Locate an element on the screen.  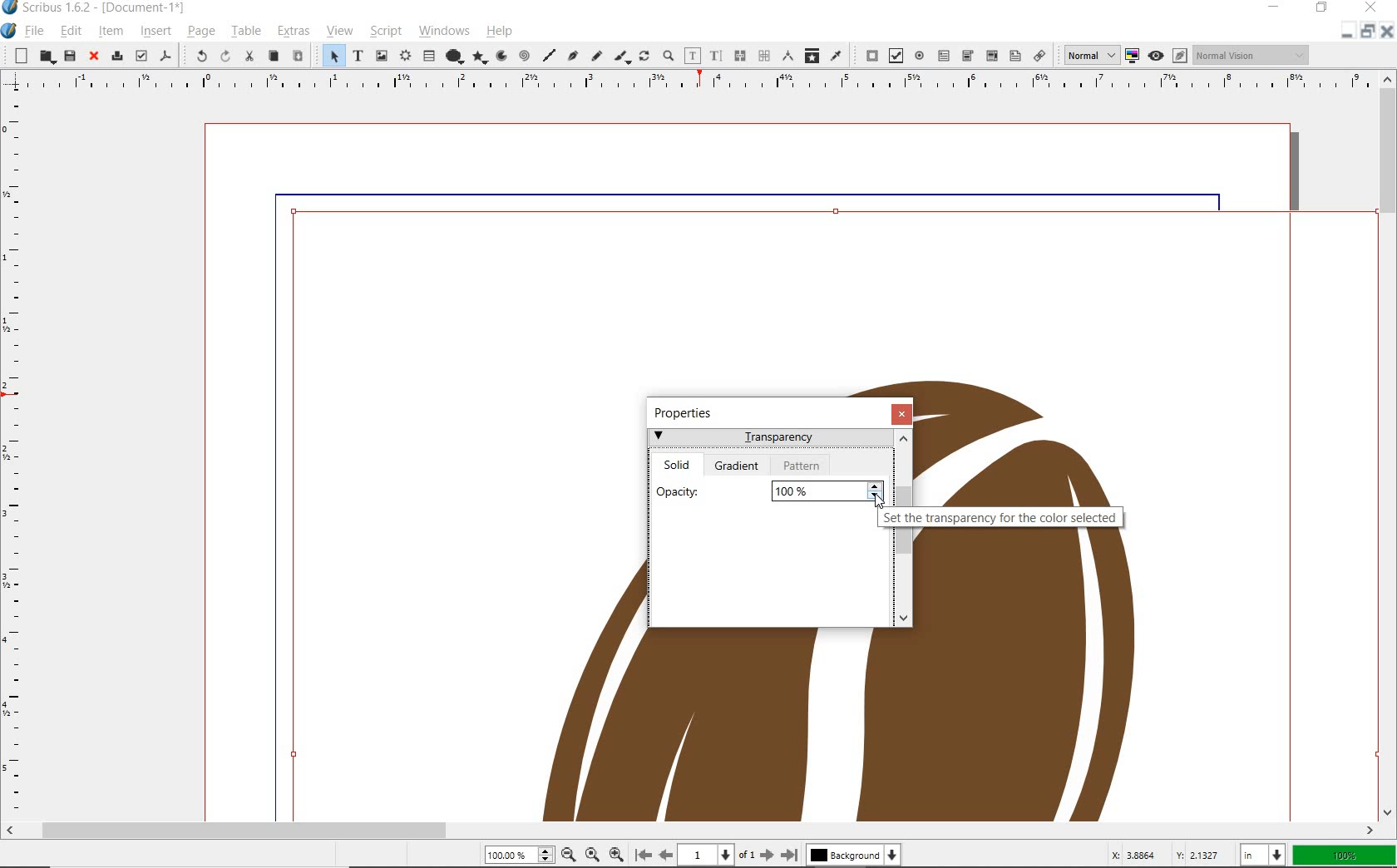
Previous Page is located at coordinates (664, 855).